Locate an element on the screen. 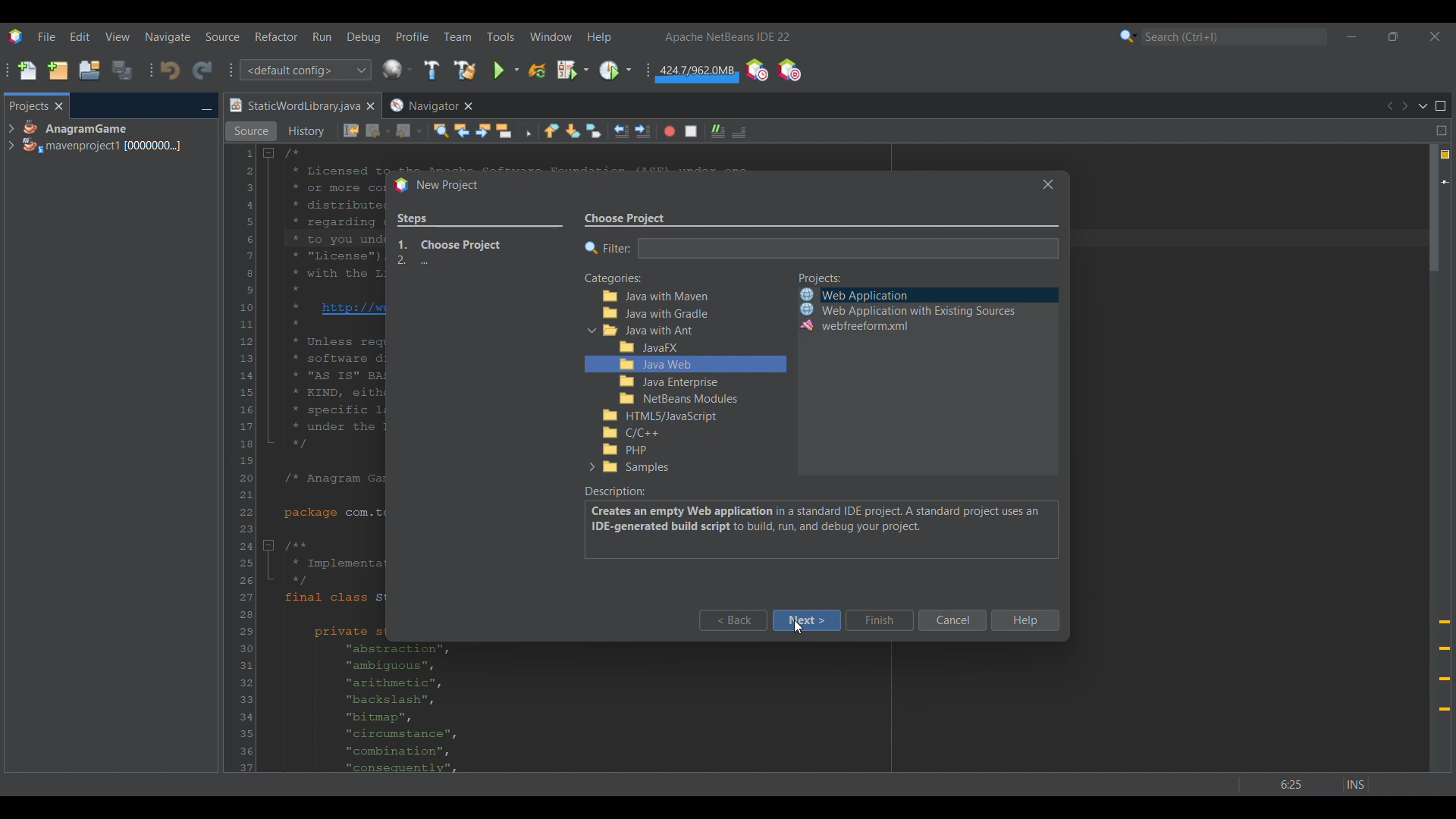 This screenshot has width=1456, height=819. Minimize is located at coordinates (206, 107).